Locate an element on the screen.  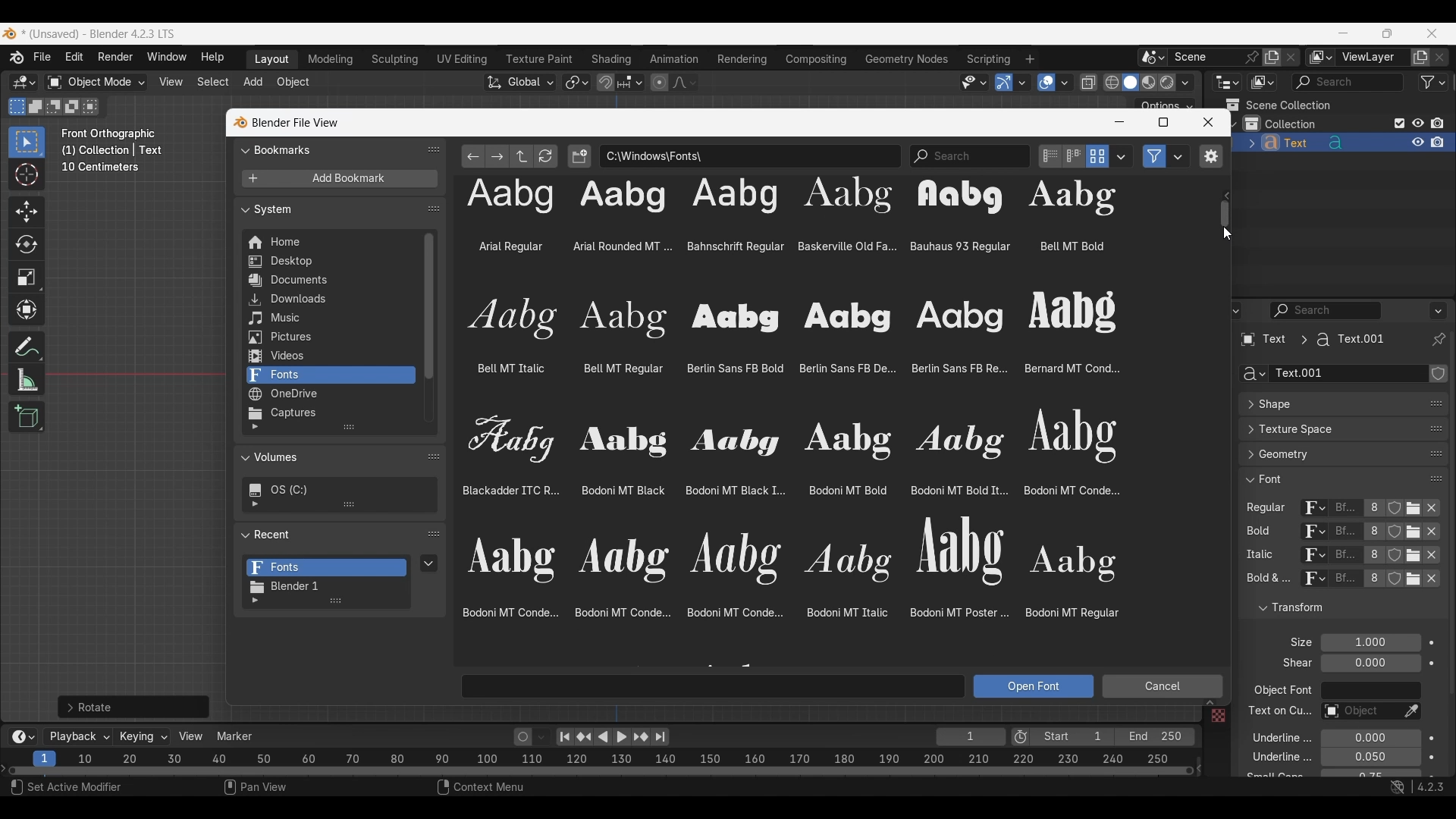
 is located at coordinates (1278, 713).